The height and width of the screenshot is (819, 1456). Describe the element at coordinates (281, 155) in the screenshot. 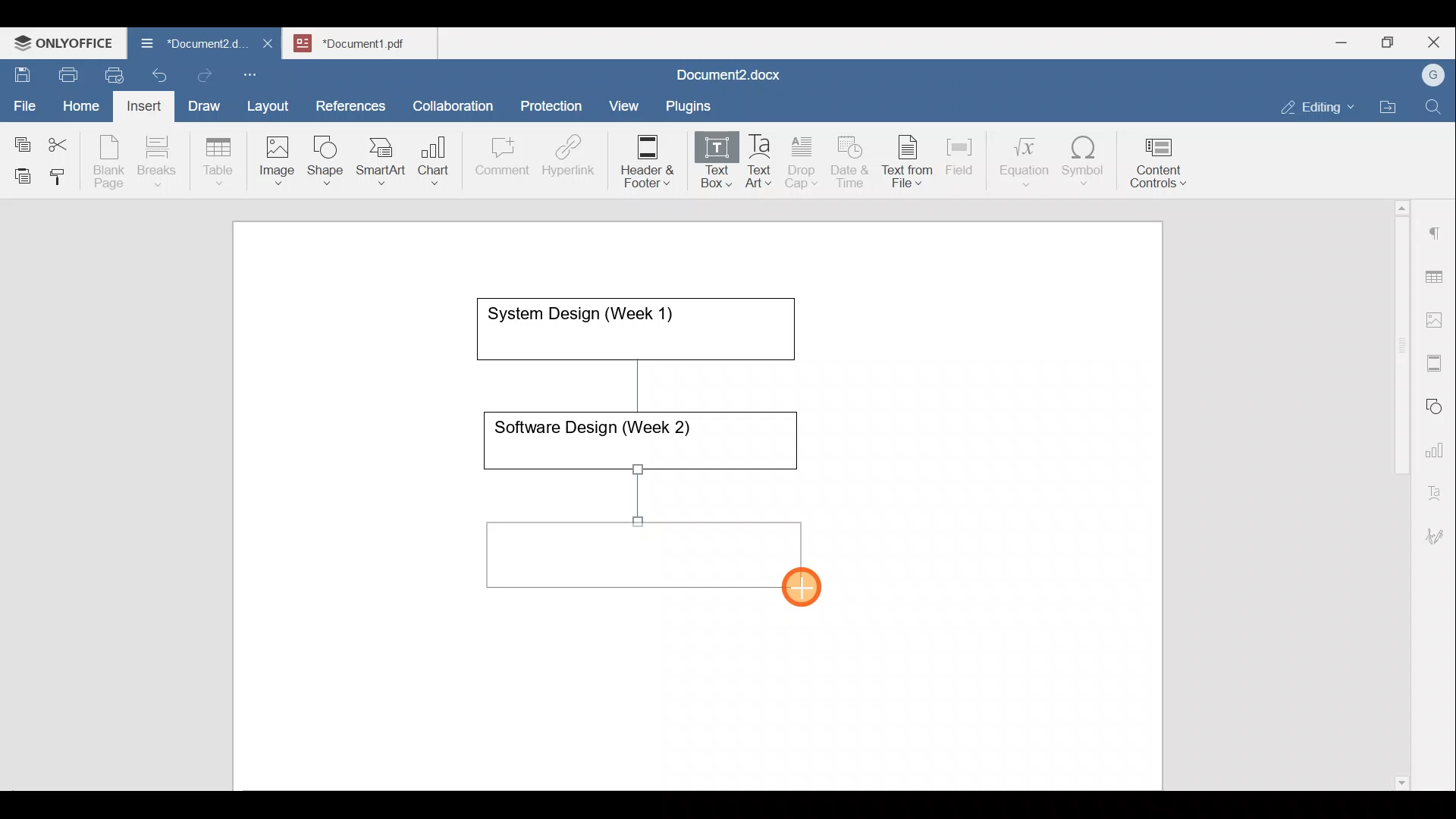

I see `Image` at that location.